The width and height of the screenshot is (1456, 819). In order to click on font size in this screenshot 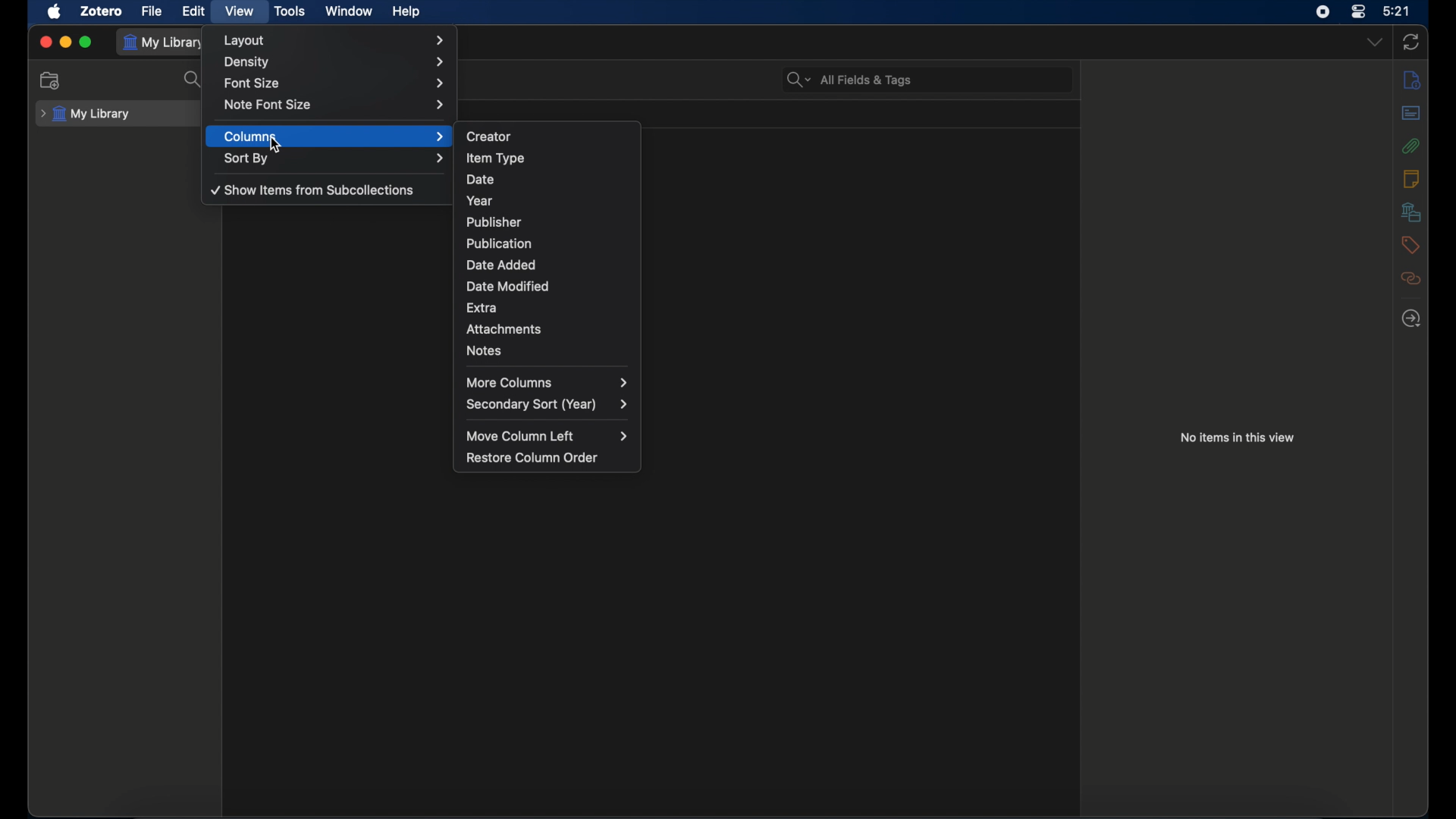, I will do `click(336, 83)`.